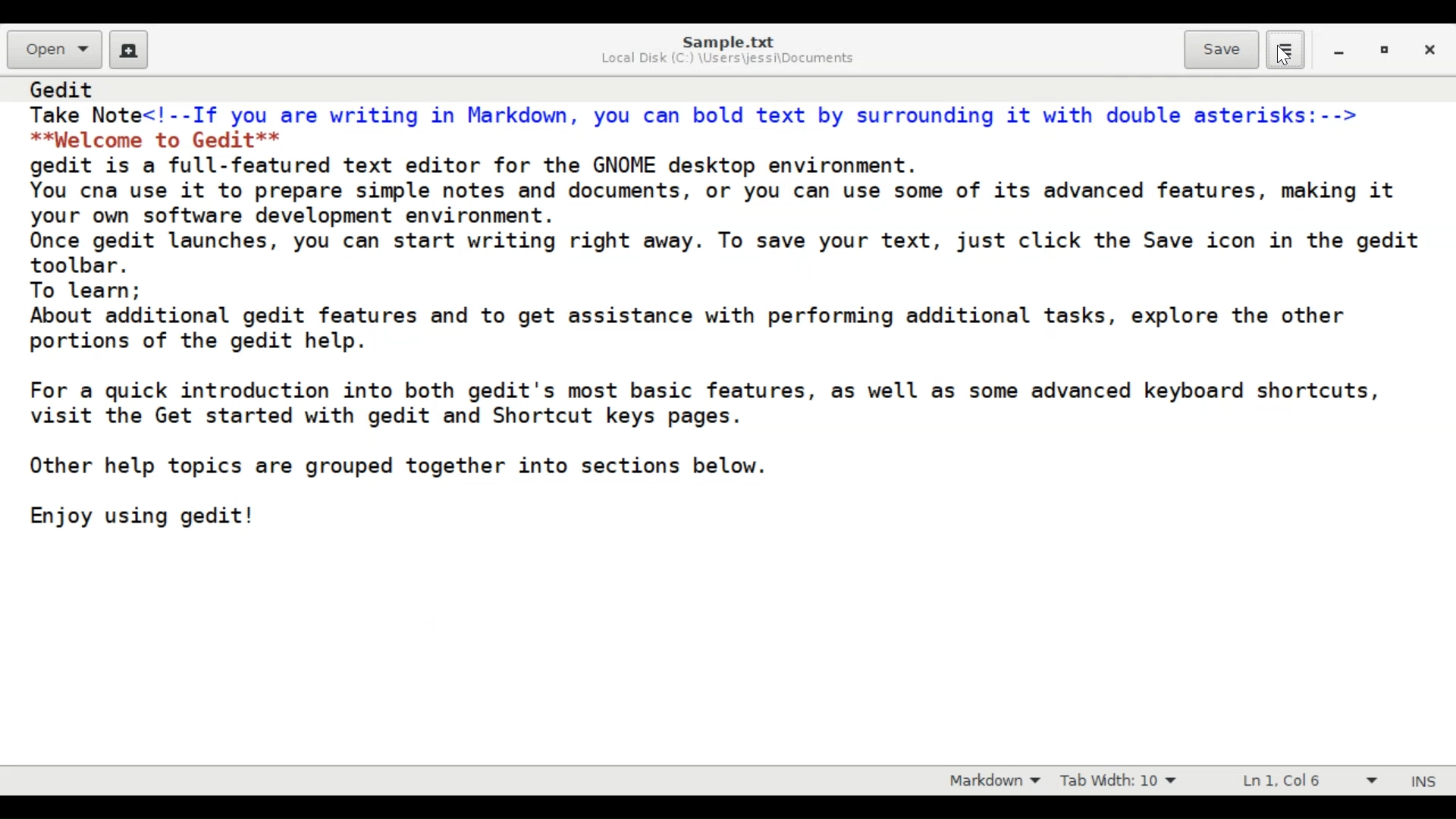 The width and height of the screenshot is (1456, 819). Describe the element at coordinates (55, 49) in the screenshot. I see `Open` at that location.